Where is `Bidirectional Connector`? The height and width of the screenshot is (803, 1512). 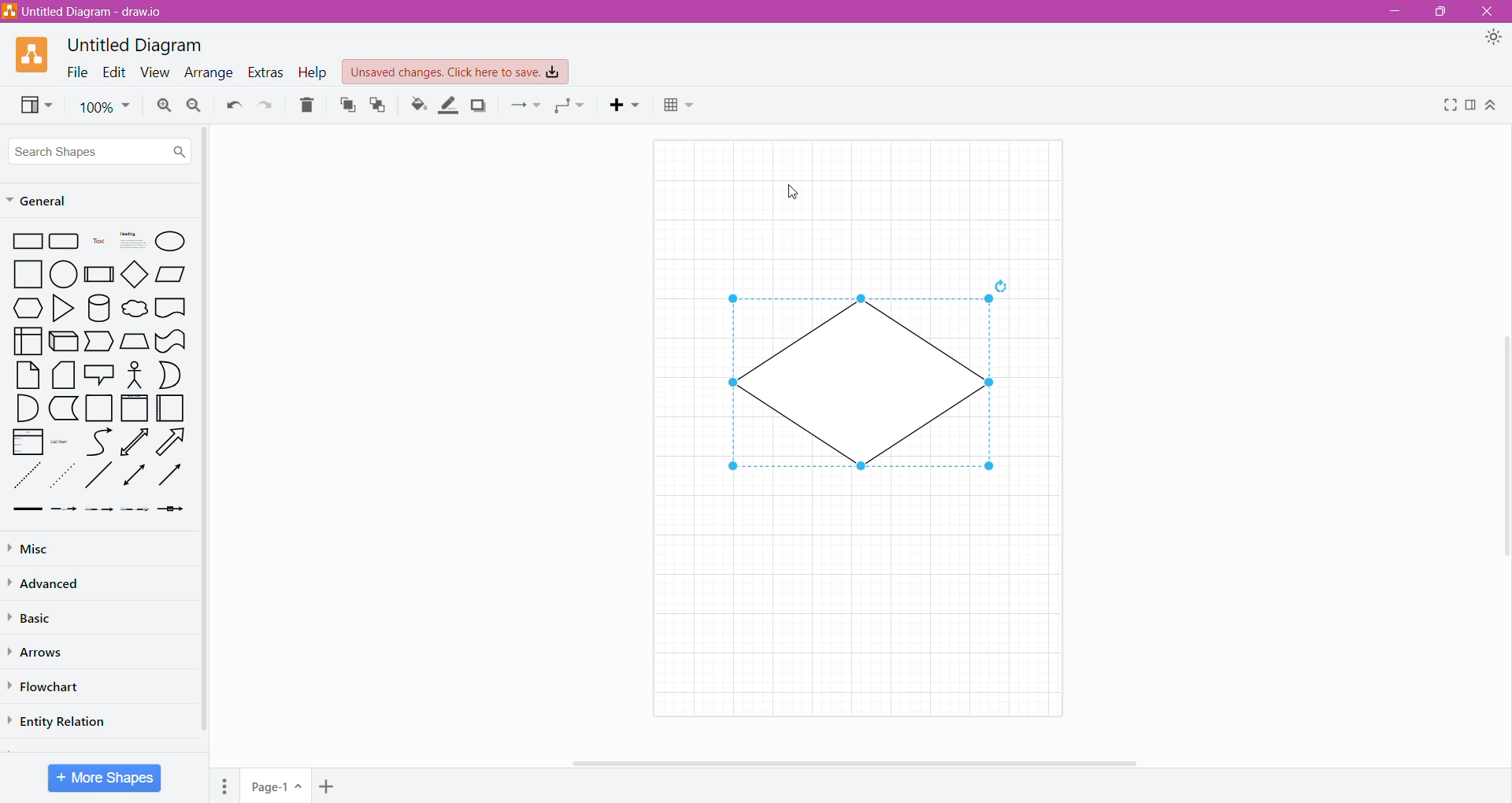
Bidirectional Connector is located at coordinates (135, 478).